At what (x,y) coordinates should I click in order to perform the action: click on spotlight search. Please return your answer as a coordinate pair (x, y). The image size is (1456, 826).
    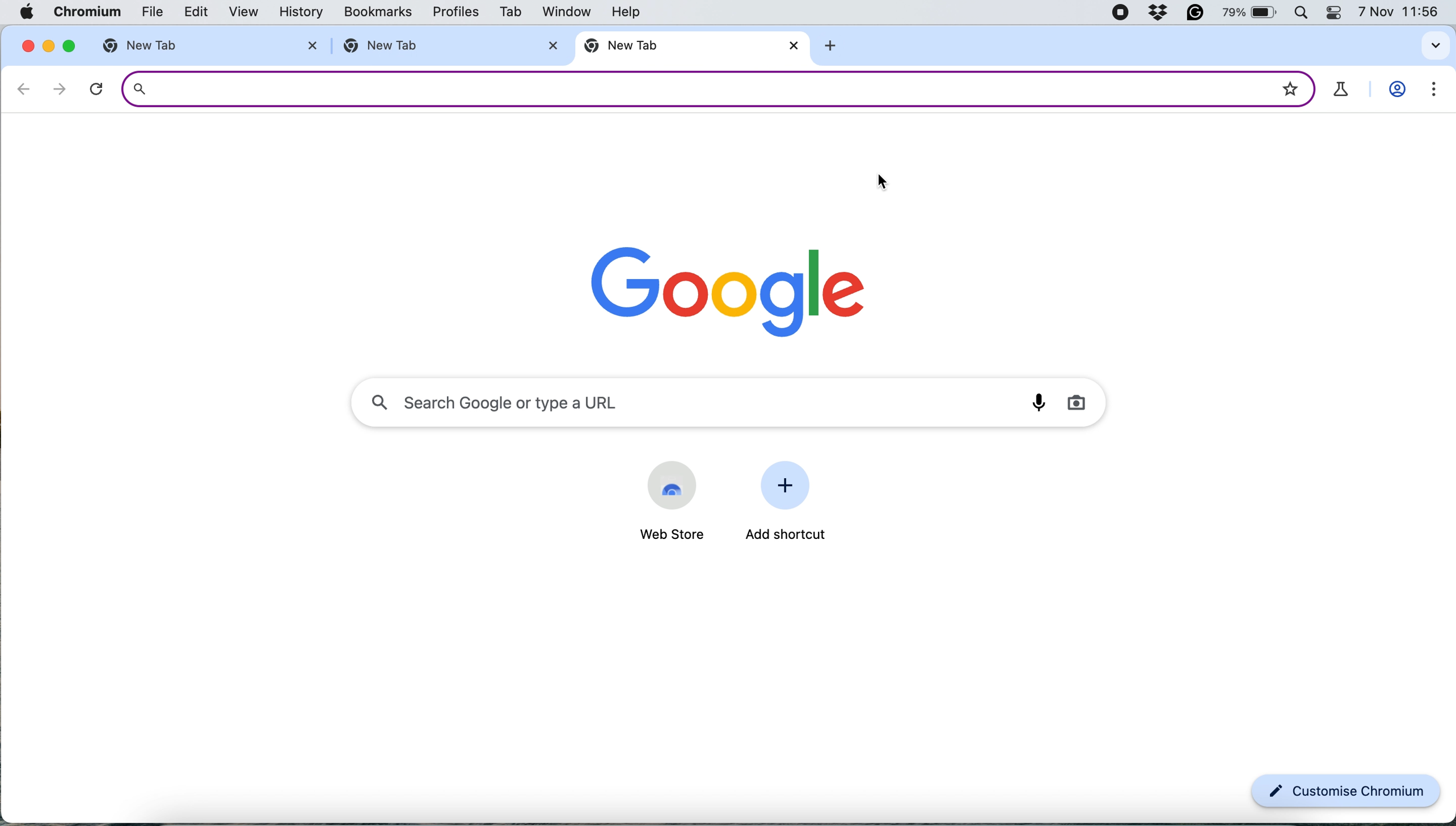
    Looking at the image, I should click on (1304, 13).